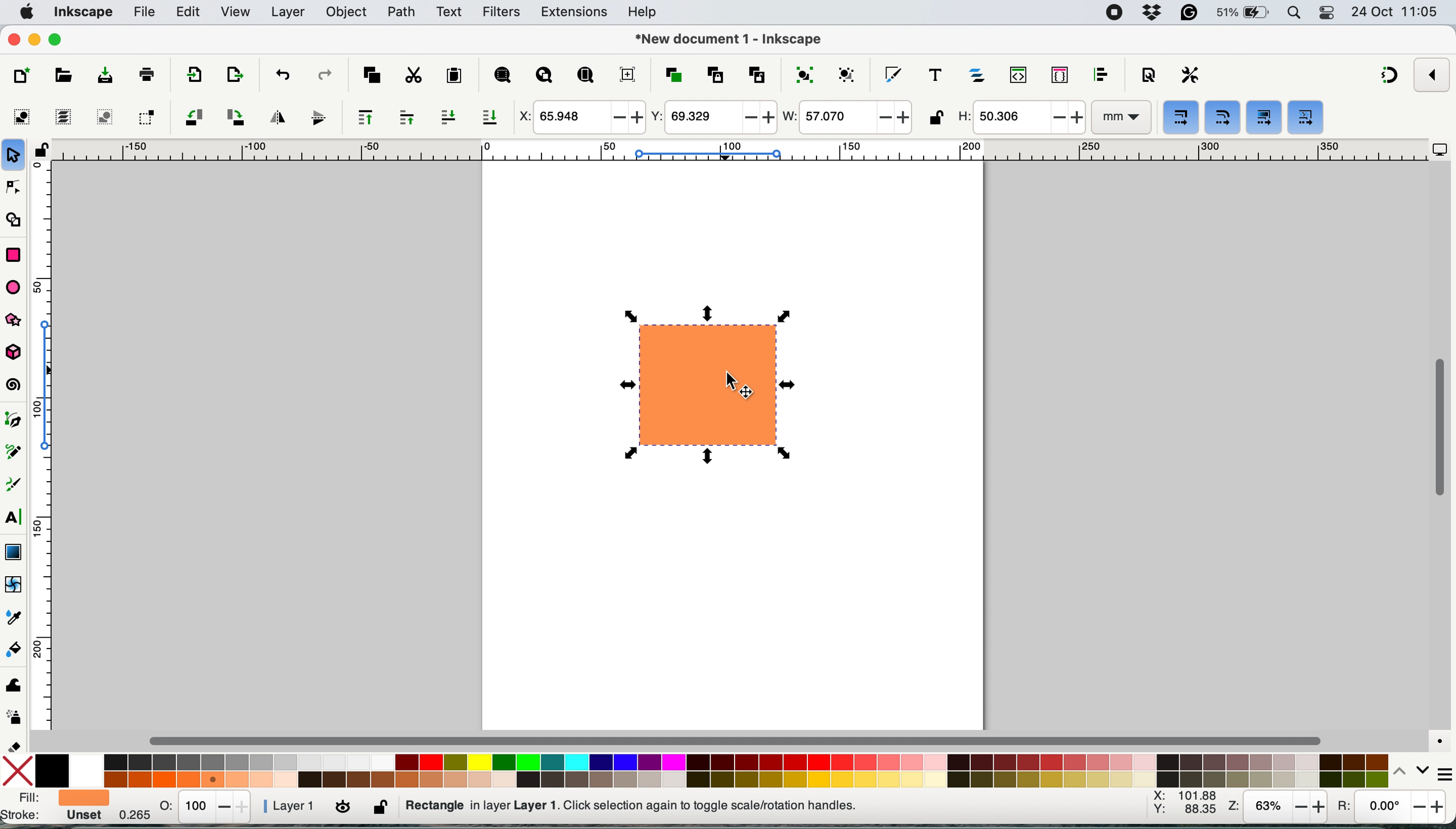 The height and width of the screenshot is (829, 1456). Describe the element at coordinates (1295, 14) in the screenshot. I see `spotlight search` at that location.